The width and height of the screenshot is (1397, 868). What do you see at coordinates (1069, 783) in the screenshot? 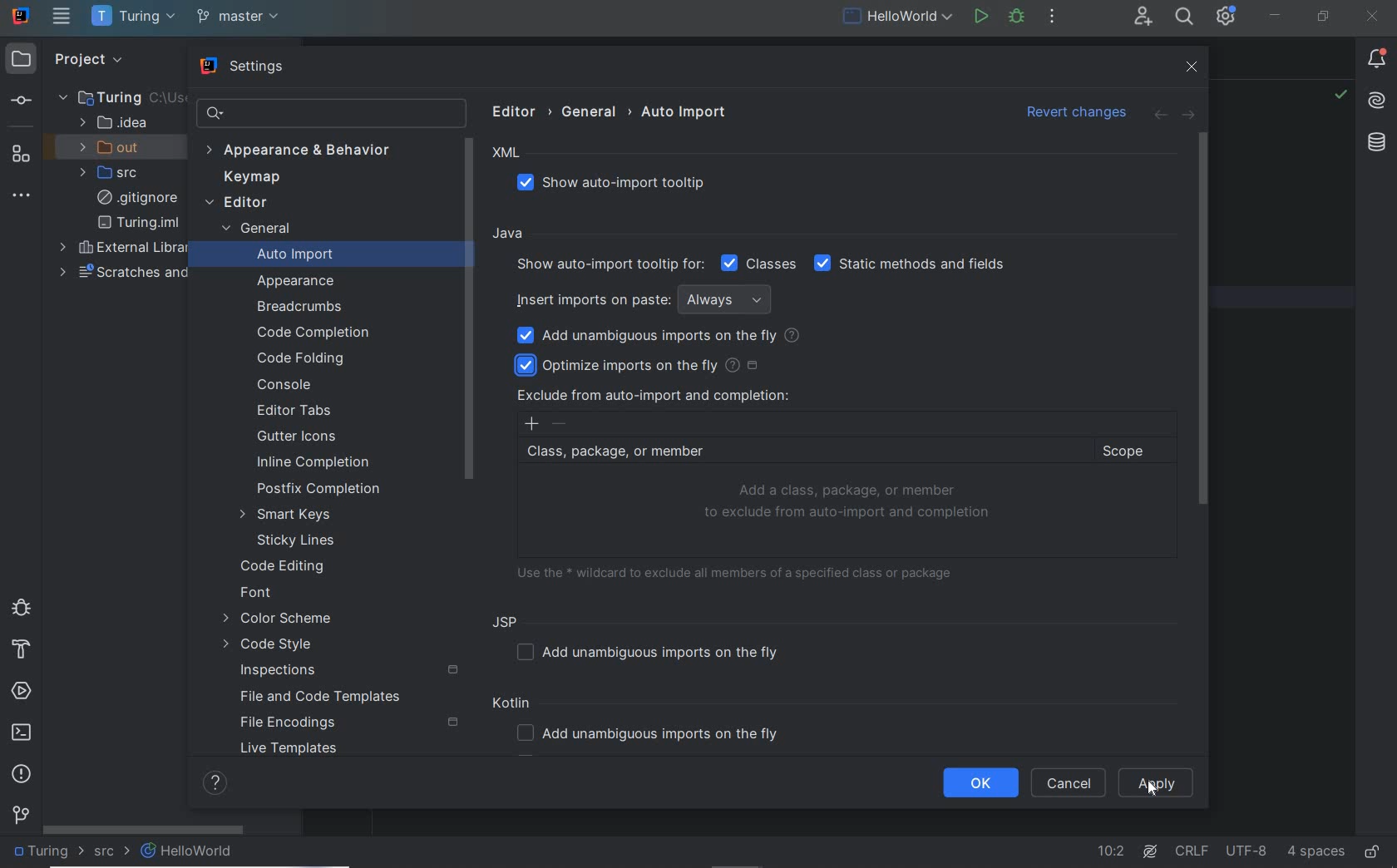
I see `CANCEL` at bounding box center [1069, 783].